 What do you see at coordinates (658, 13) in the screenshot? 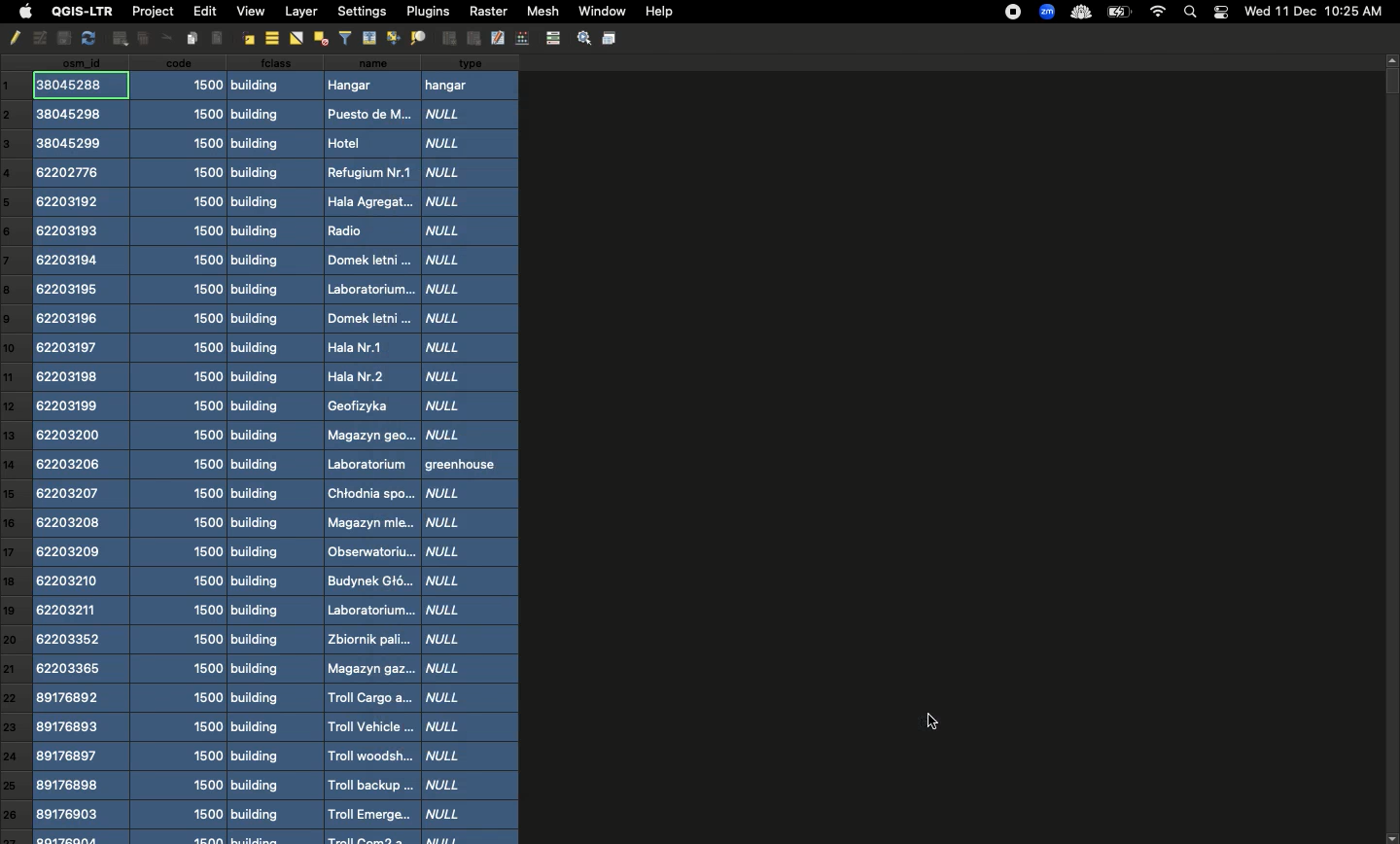
I see `Help` at bounding box center [658, 13].